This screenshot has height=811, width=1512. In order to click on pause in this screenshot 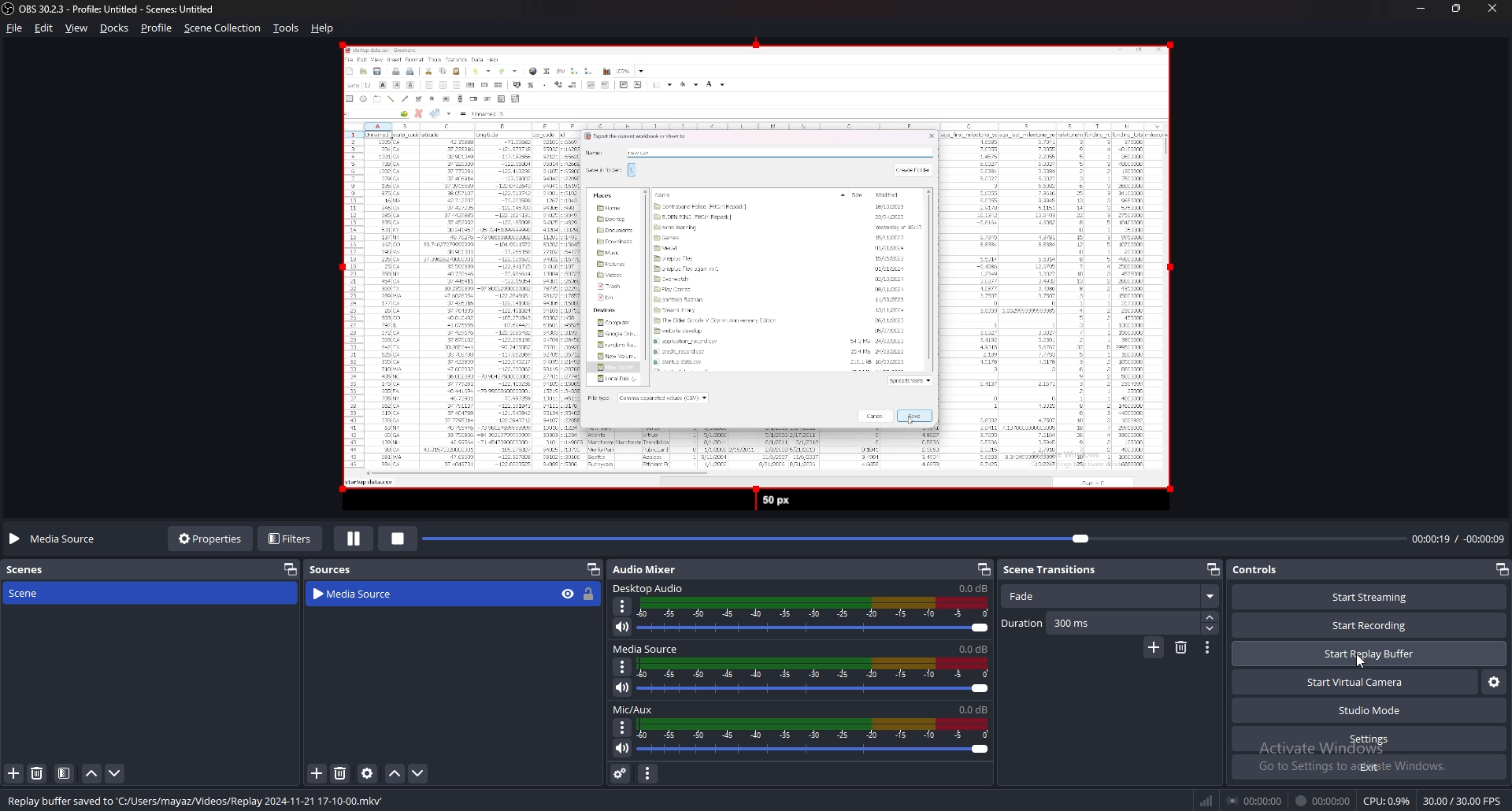, I will do `click(353, 540)`.